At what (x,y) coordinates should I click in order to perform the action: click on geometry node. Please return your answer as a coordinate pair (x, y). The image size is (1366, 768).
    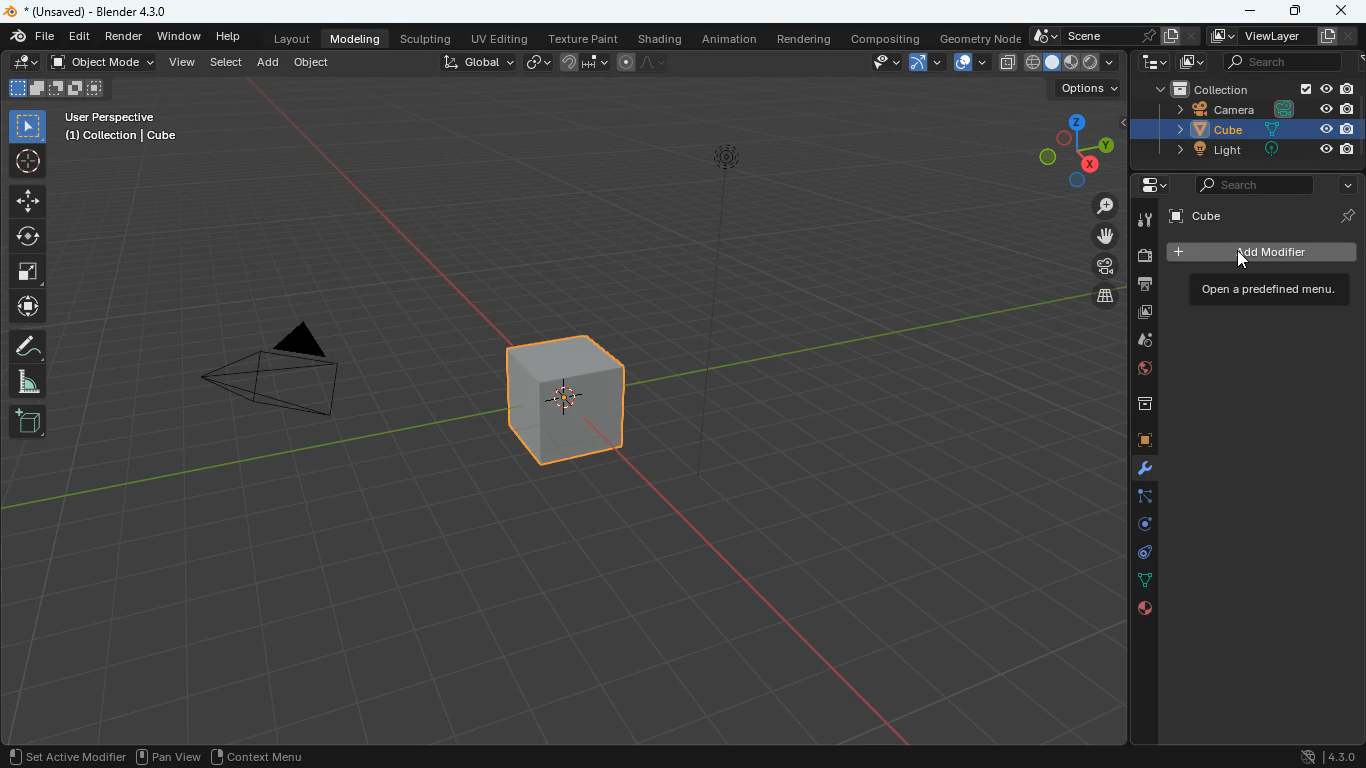
    Looking at the image, I should click on (974, 37).